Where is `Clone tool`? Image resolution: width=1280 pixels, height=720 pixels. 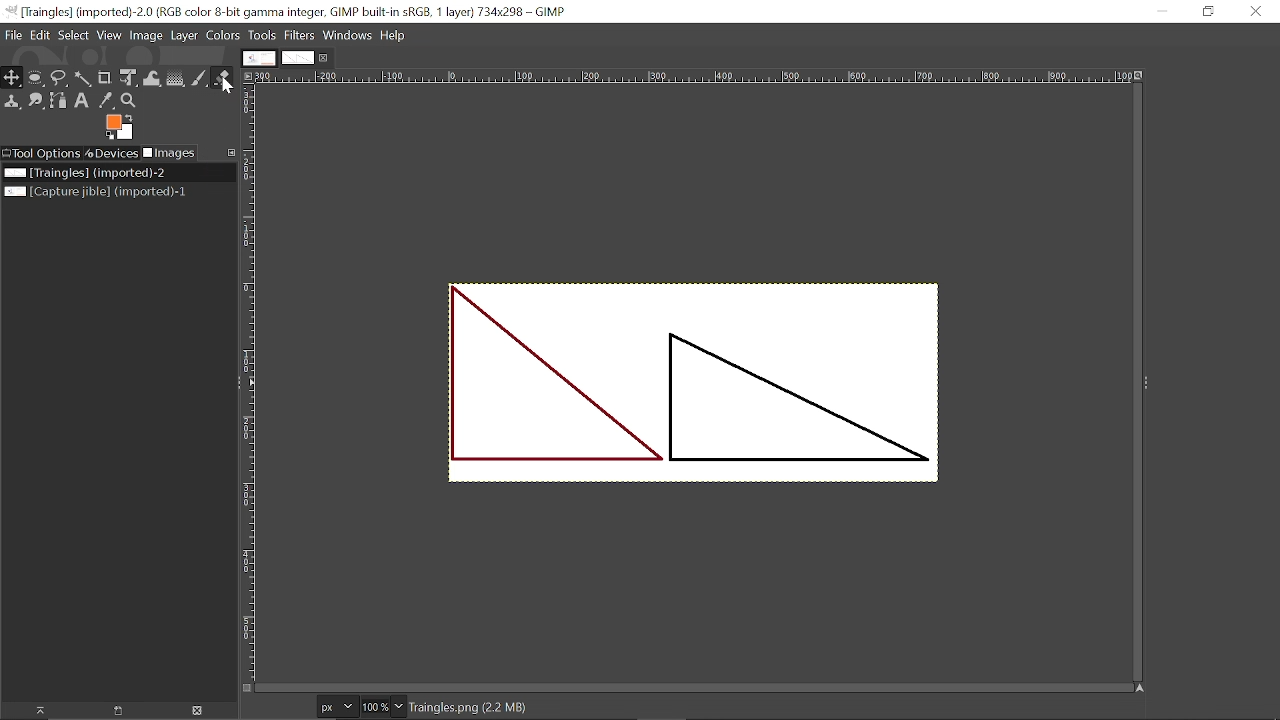 Clone tool is located at coordinates (12, 101).